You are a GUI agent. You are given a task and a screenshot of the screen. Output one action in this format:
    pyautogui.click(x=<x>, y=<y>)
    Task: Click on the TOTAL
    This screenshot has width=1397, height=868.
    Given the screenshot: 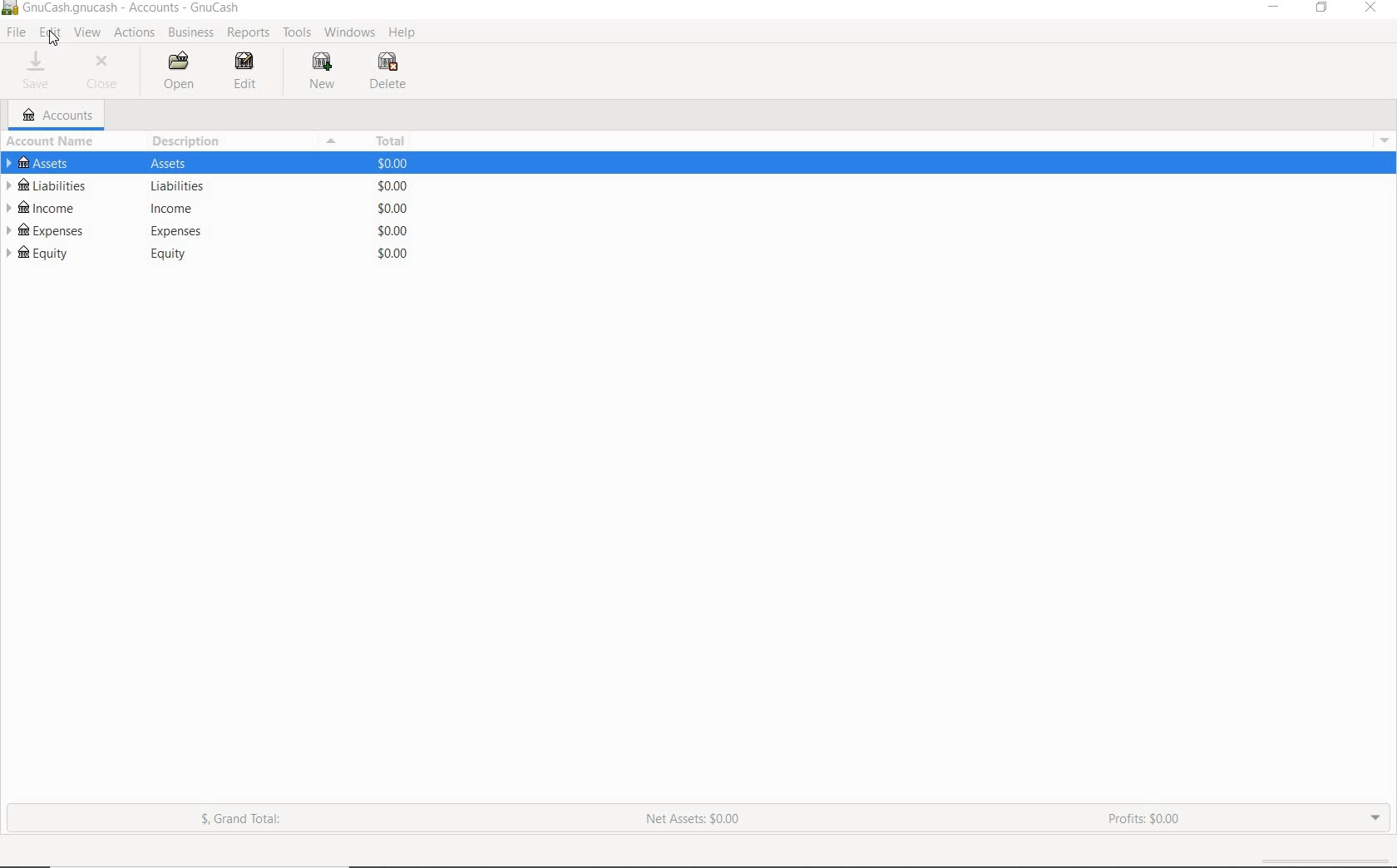 What is the action you would take?
    pyautogui.click(x=391, y=142)
    